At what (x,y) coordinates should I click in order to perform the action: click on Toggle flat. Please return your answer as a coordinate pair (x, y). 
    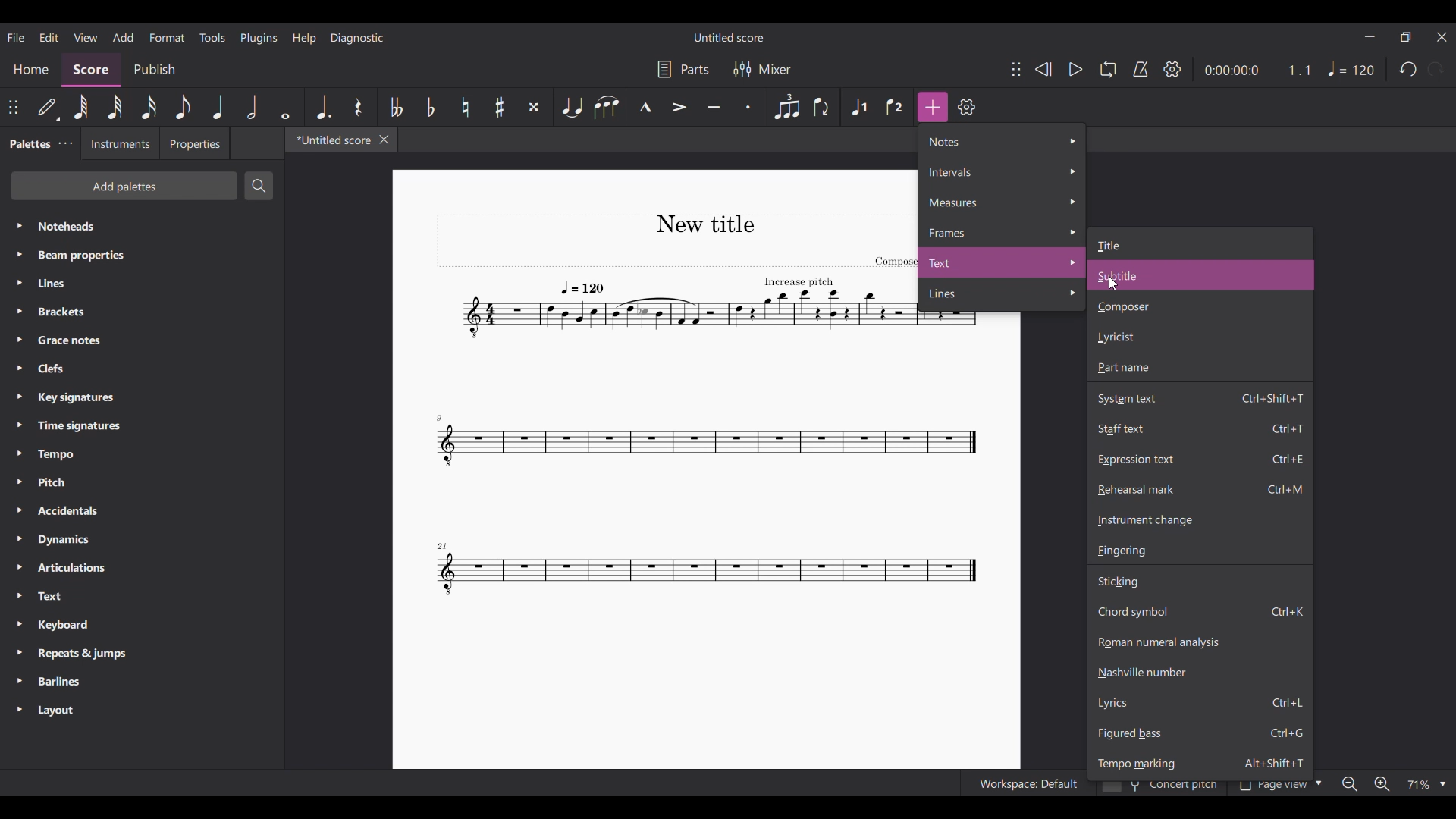
    Looking at the image, I should click on (430, 106).